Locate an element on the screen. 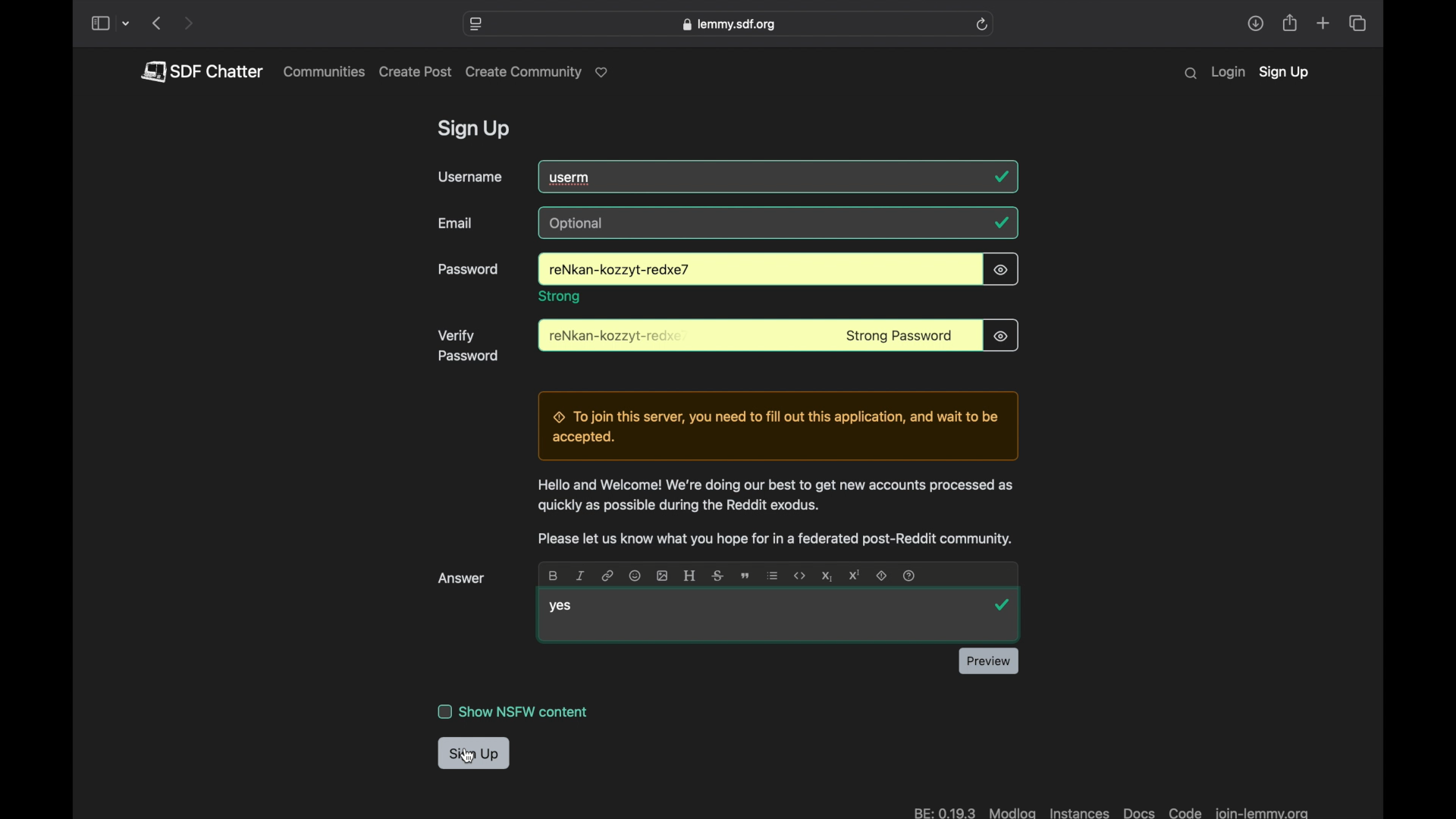 This screenshot has width=1456, height=819. tab group picker is located at coordinates (127, 24).